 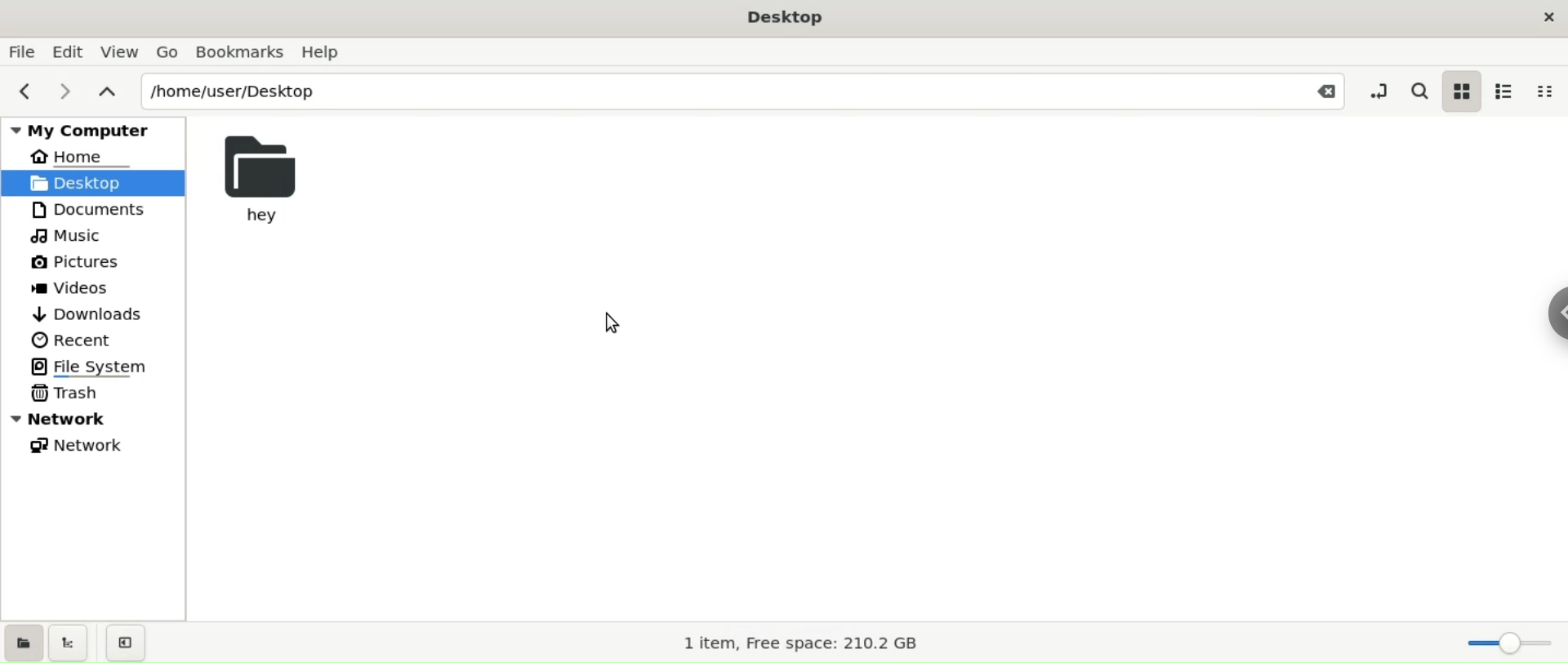 What do you see at coordinates (91, 128) in the screenshot?
I see `my computer` at bounding box center [91, 128].